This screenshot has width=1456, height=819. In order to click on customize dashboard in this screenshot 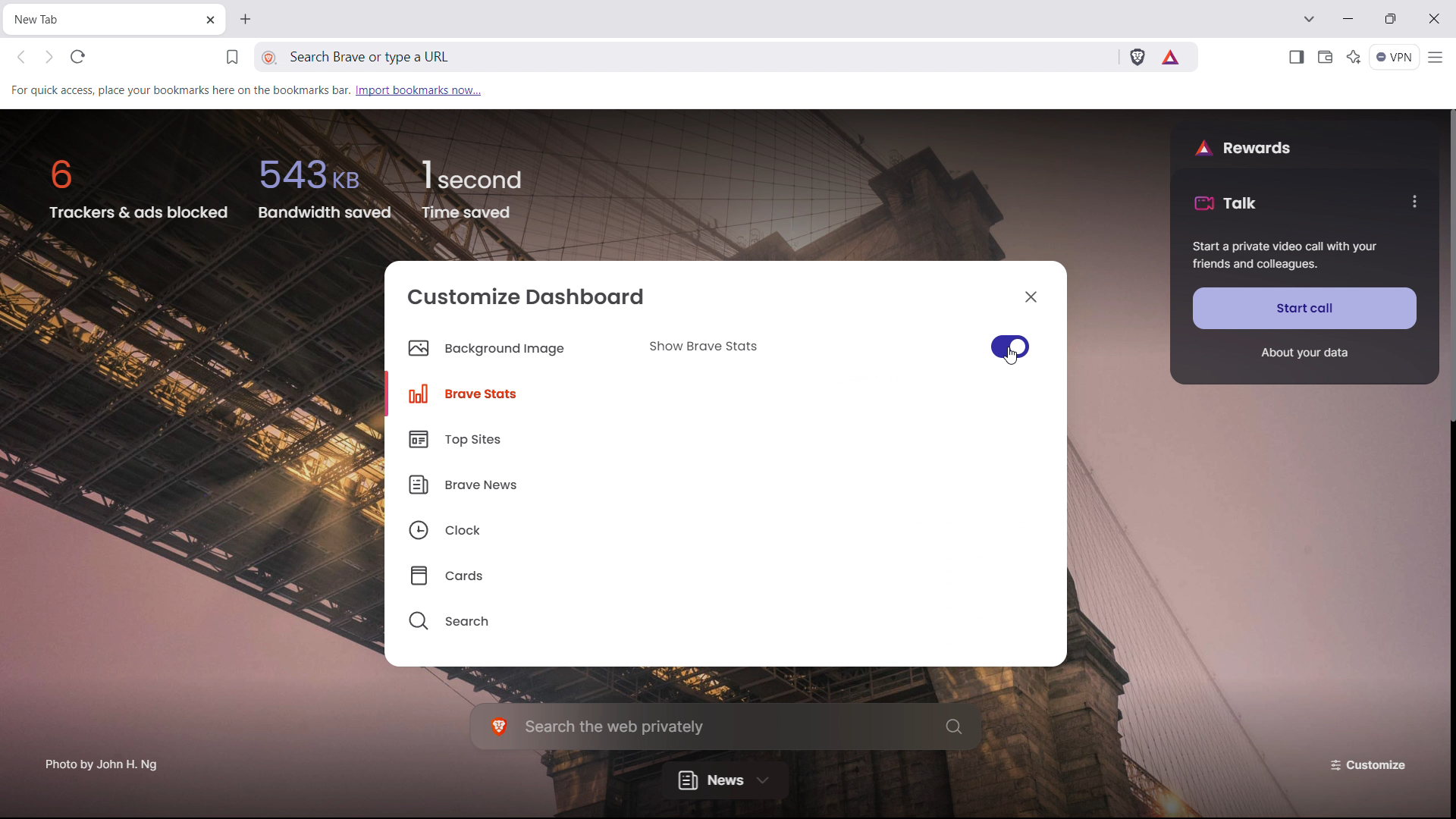, I will do `click(527, 296)`.